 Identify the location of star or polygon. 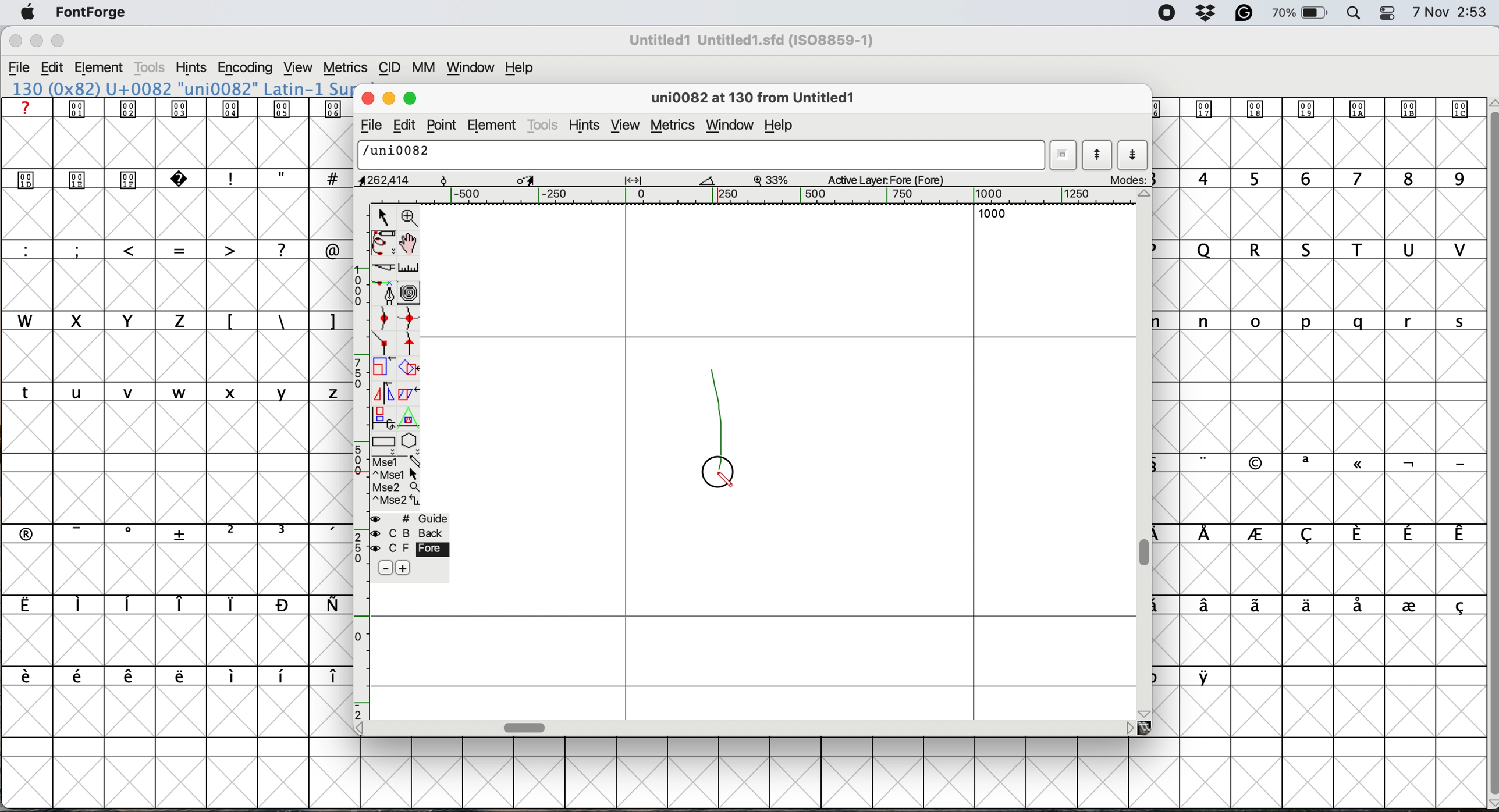
(409, 443).